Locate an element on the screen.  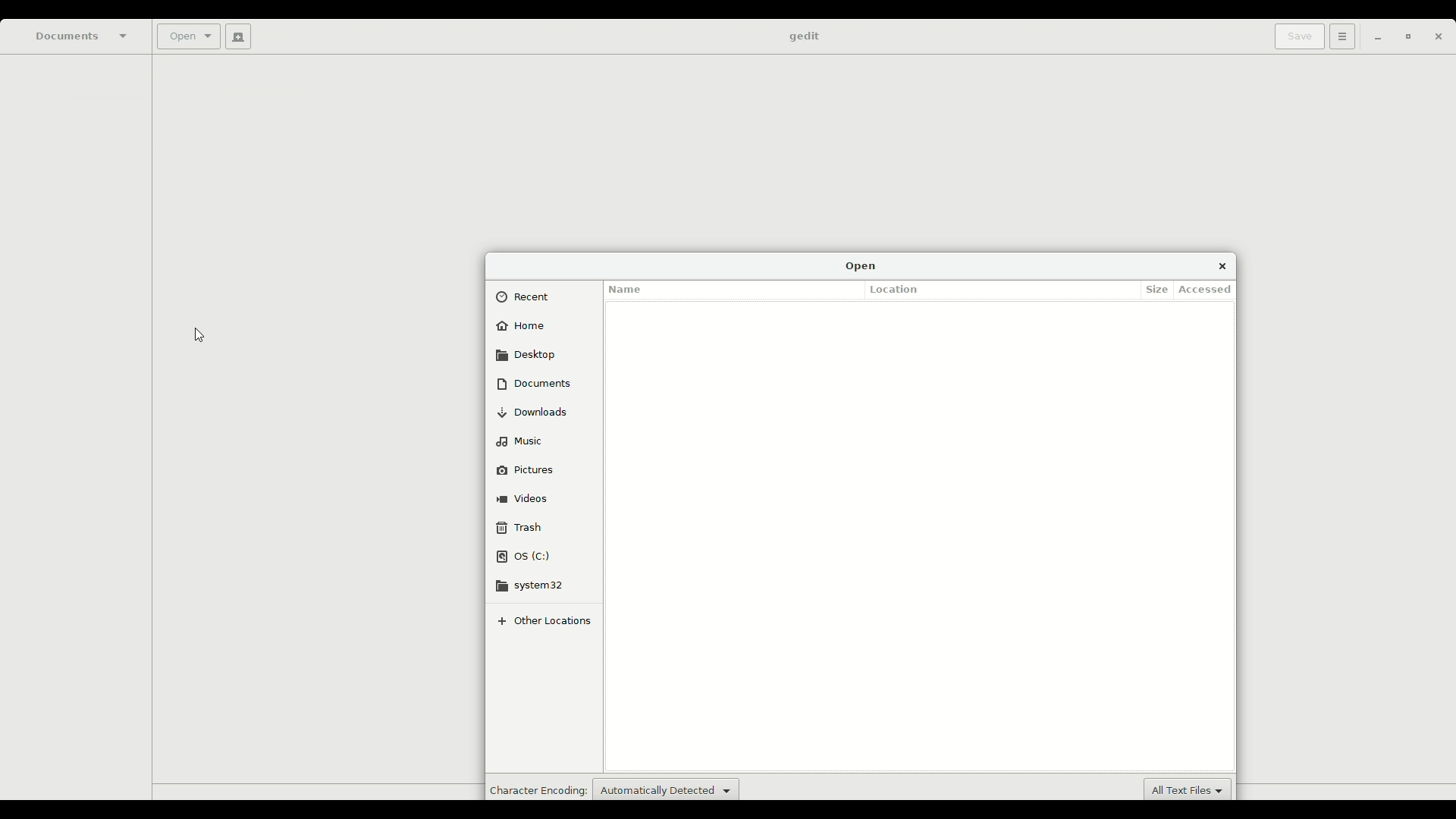
Location is located at coordinates (905, 289).